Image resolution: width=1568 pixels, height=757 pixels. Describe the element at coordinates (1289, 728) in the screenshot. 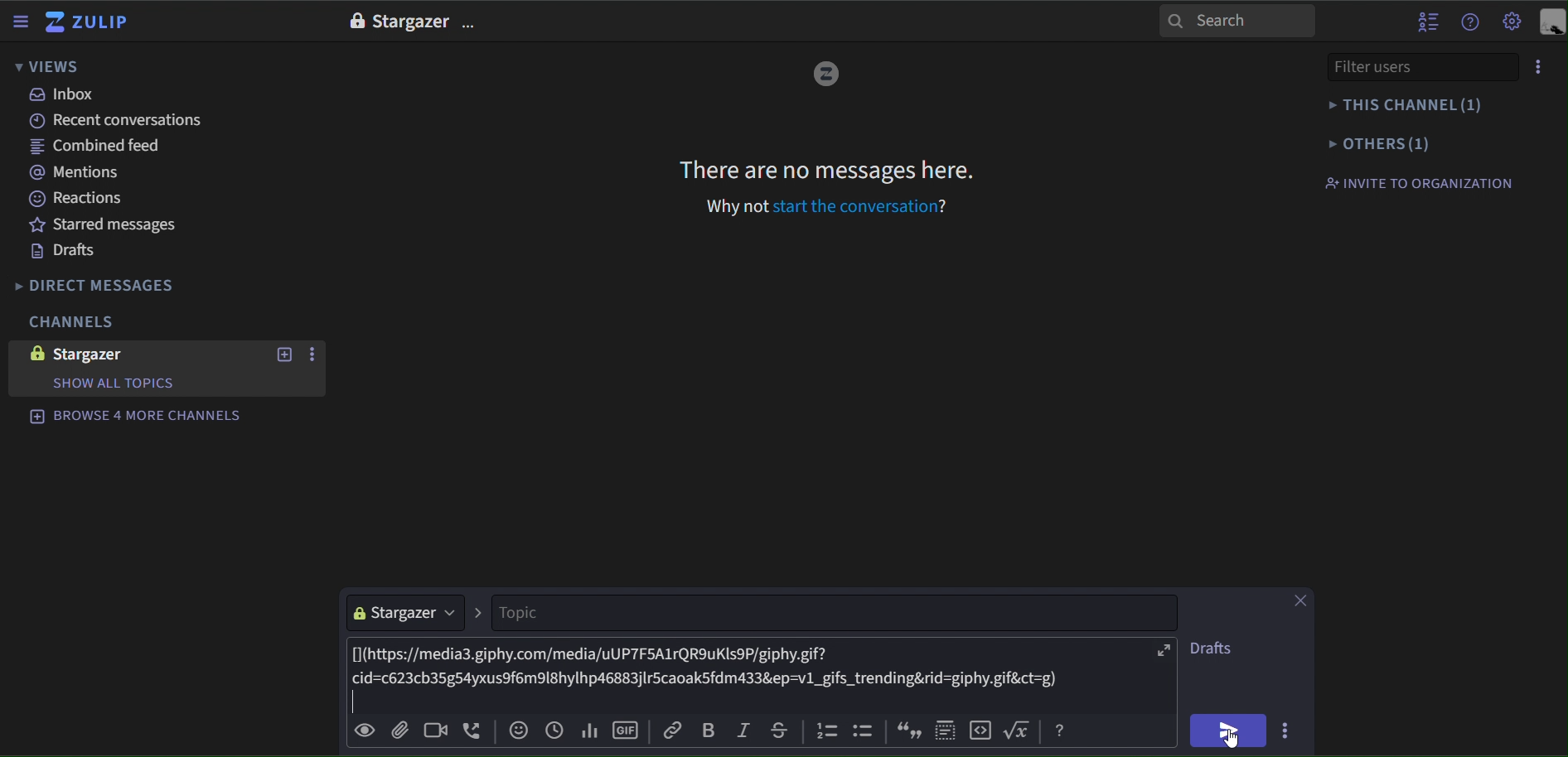

I see `more options` at that location.